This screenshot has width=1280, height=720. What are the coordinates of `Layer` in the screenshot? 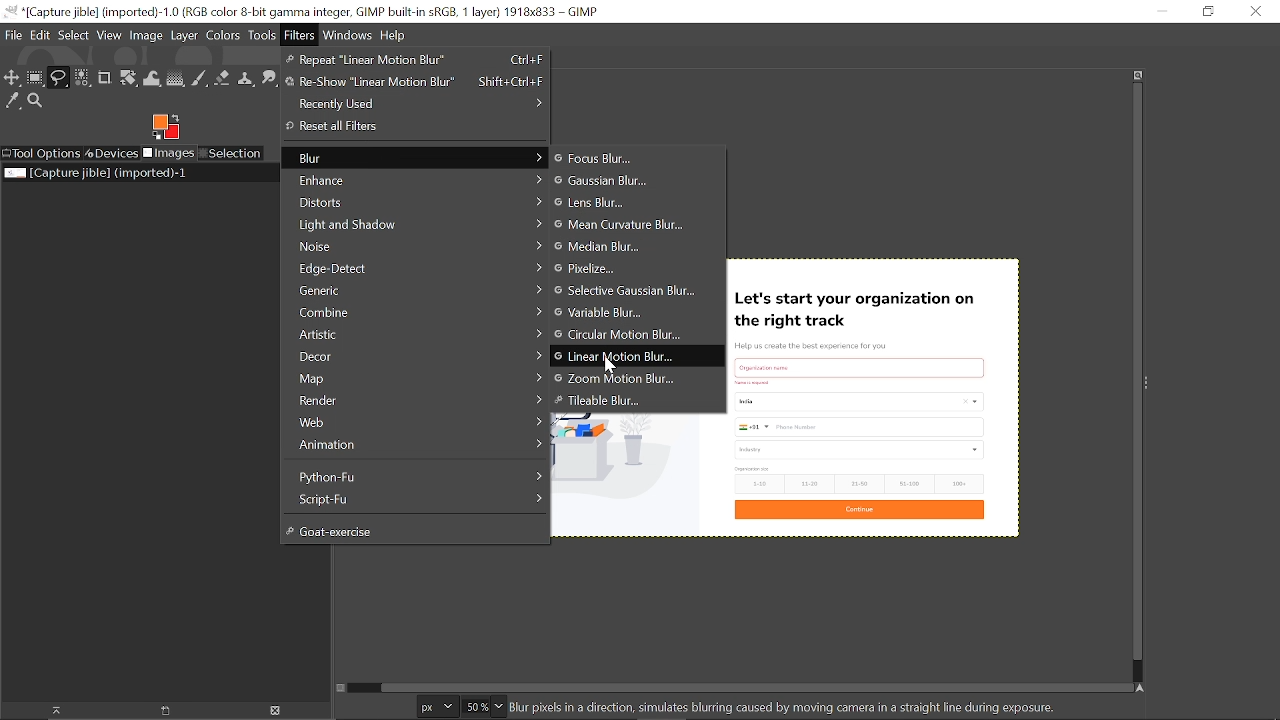 It's located at (184, 37).